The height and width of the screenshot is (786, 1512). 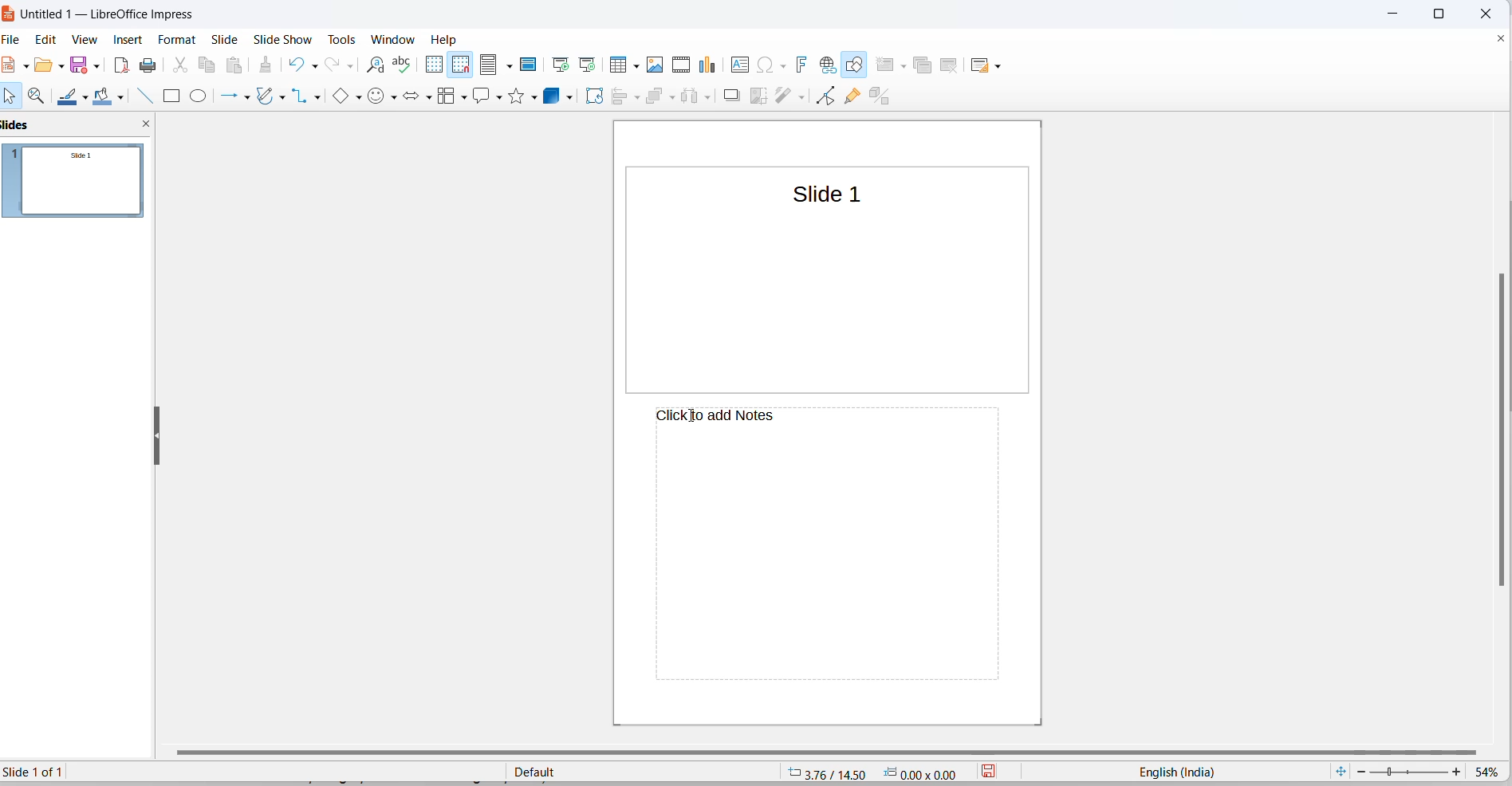 What do you see at coordinates (953, 64) in the screenshot?
I see `delete slide` at bounding box center [953, 64].